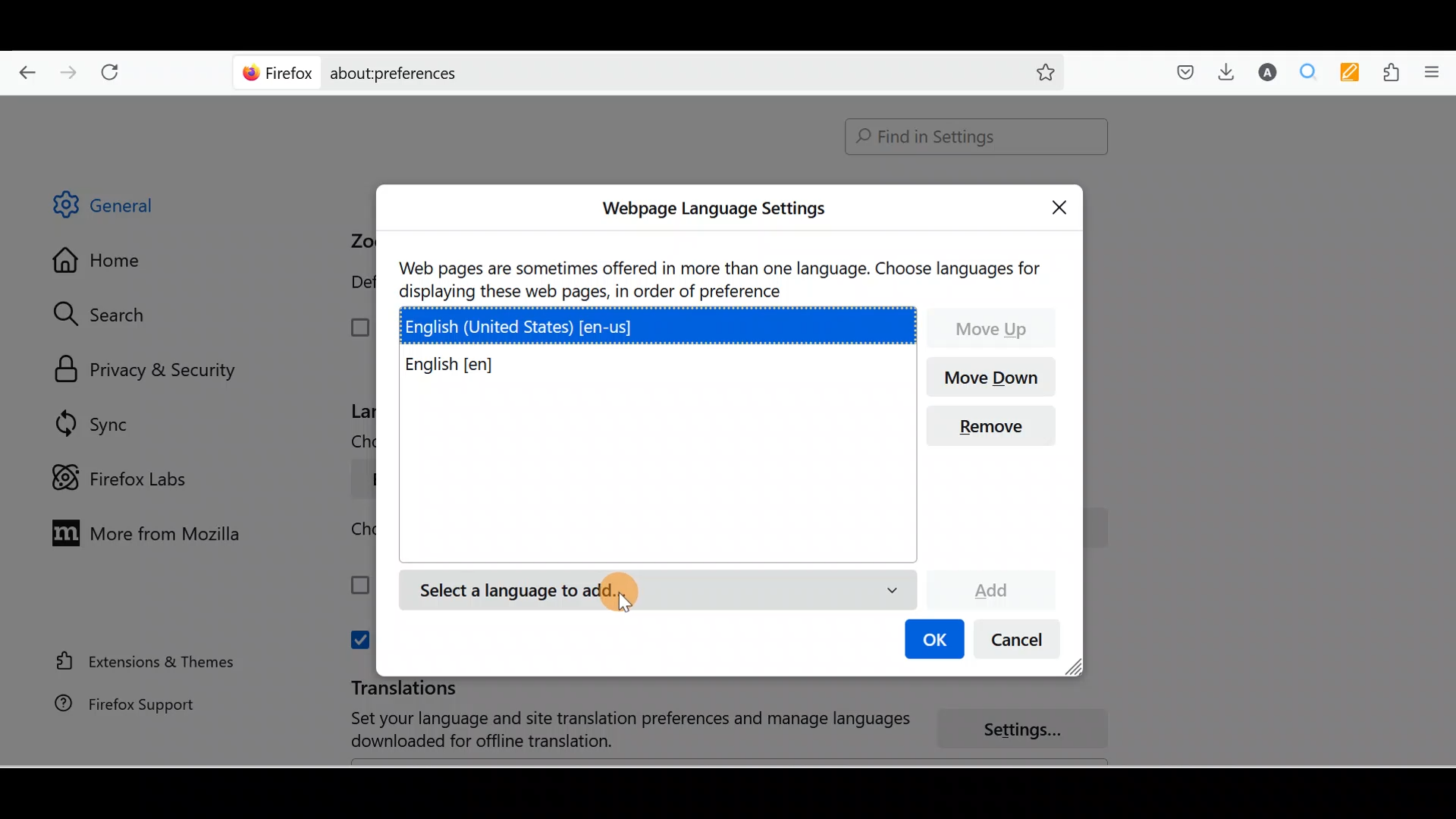 This screenshot has height=819, width=1456. Describe the element at coordinates (1309, 71) in the screenshot. I see `Multiple search & highlight` at that location.